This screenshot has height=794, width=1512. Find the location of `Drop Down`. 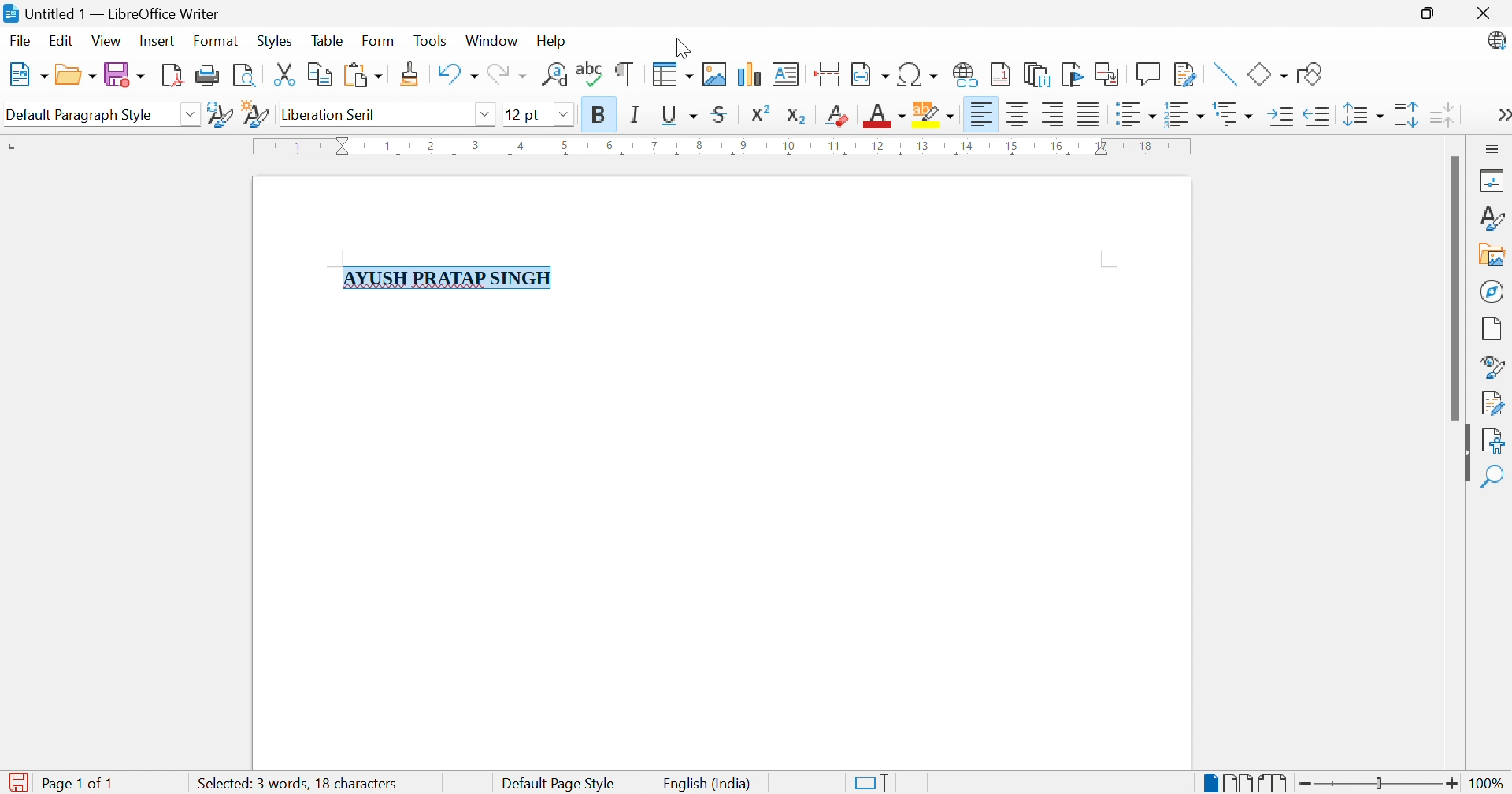

Drop Down is located at coordinates (192, 116).